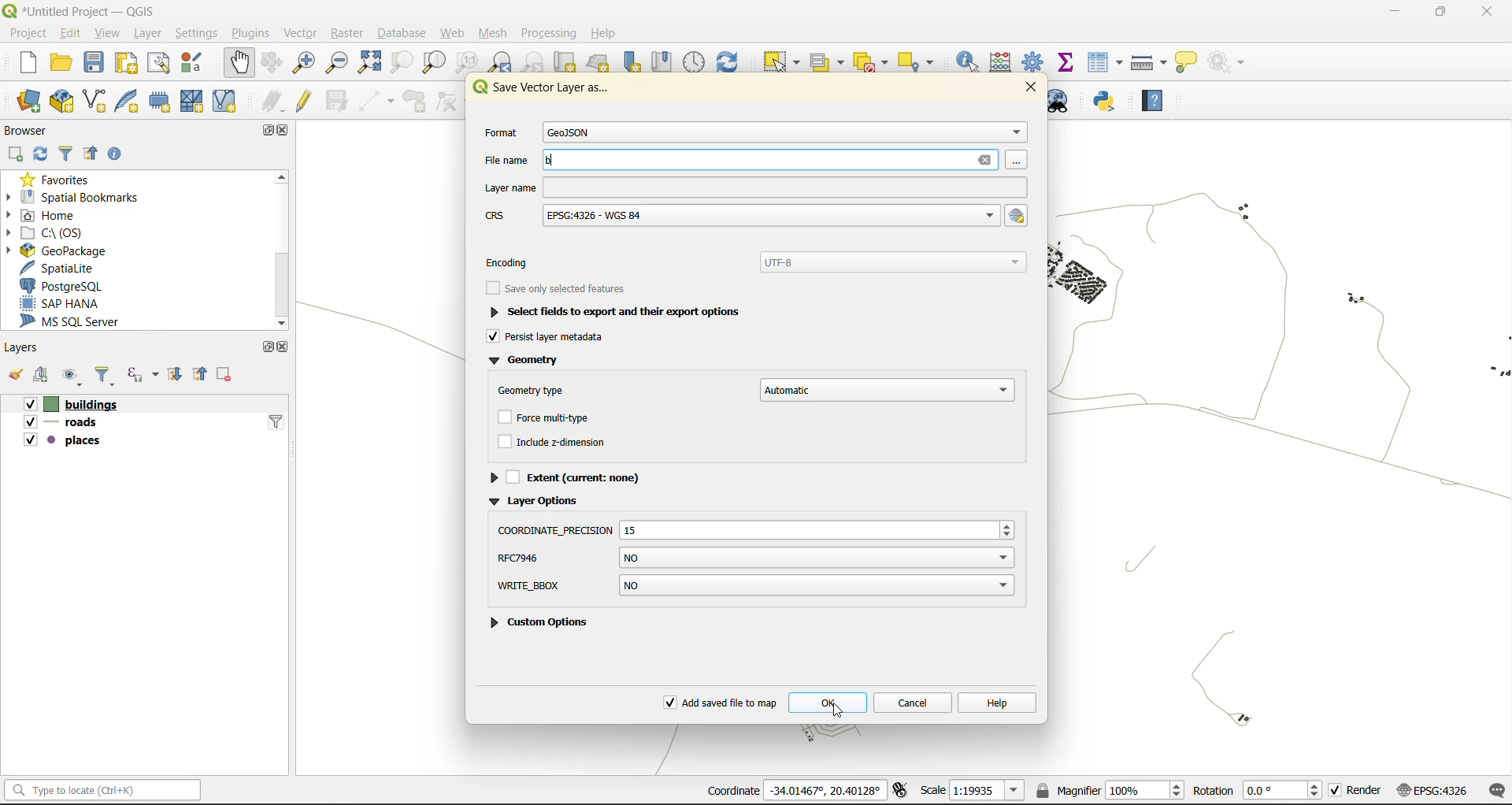 Image resolution: width=1512 pixels, height=805 pixels. What do you see at coordinates (755, 526) in the screenshot?
I see `resize` at bounding box center [755, 526].